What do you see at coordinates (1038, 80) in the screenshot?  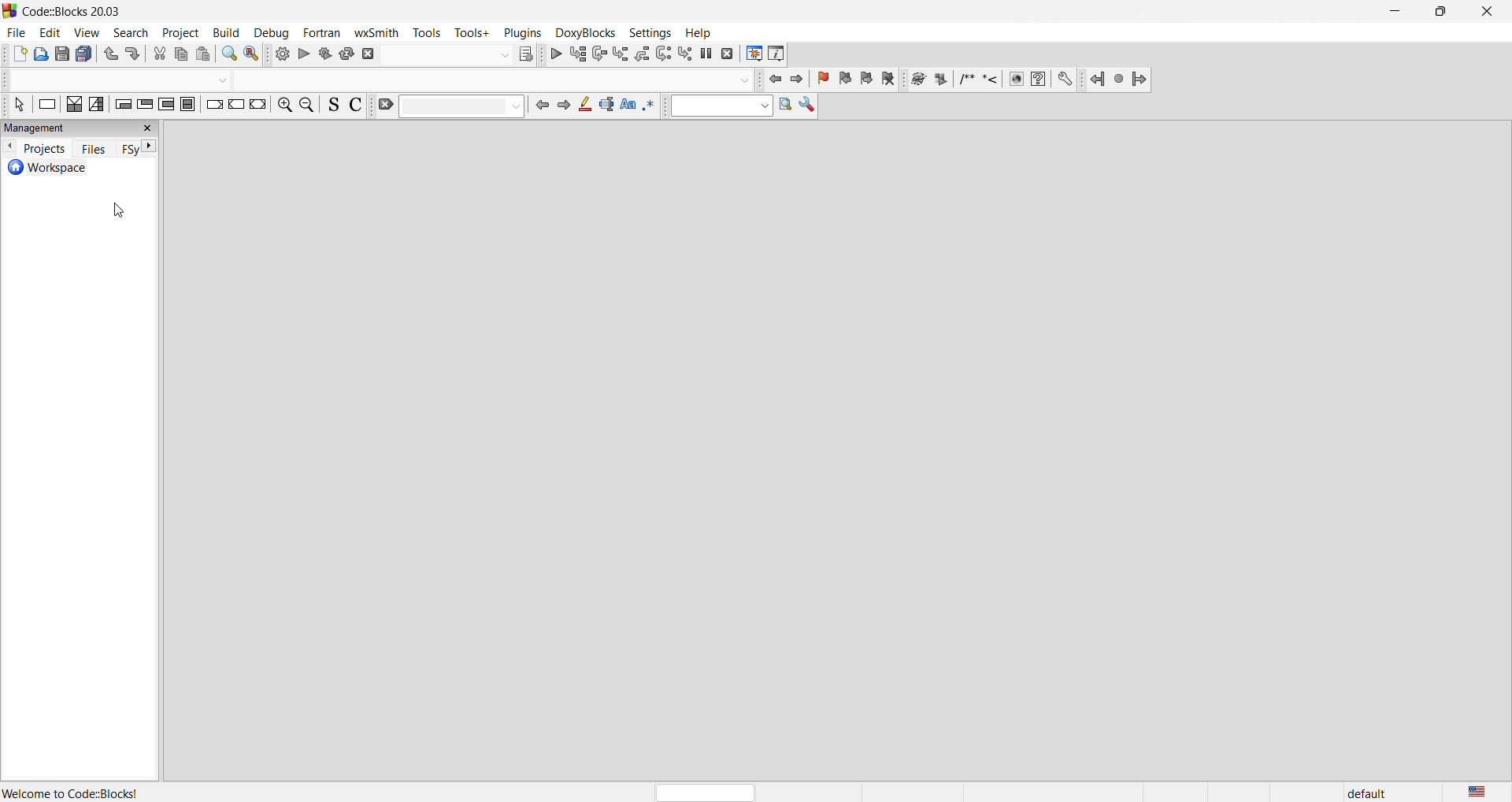 I see `HTML help` at bounding box center [1038, 80].